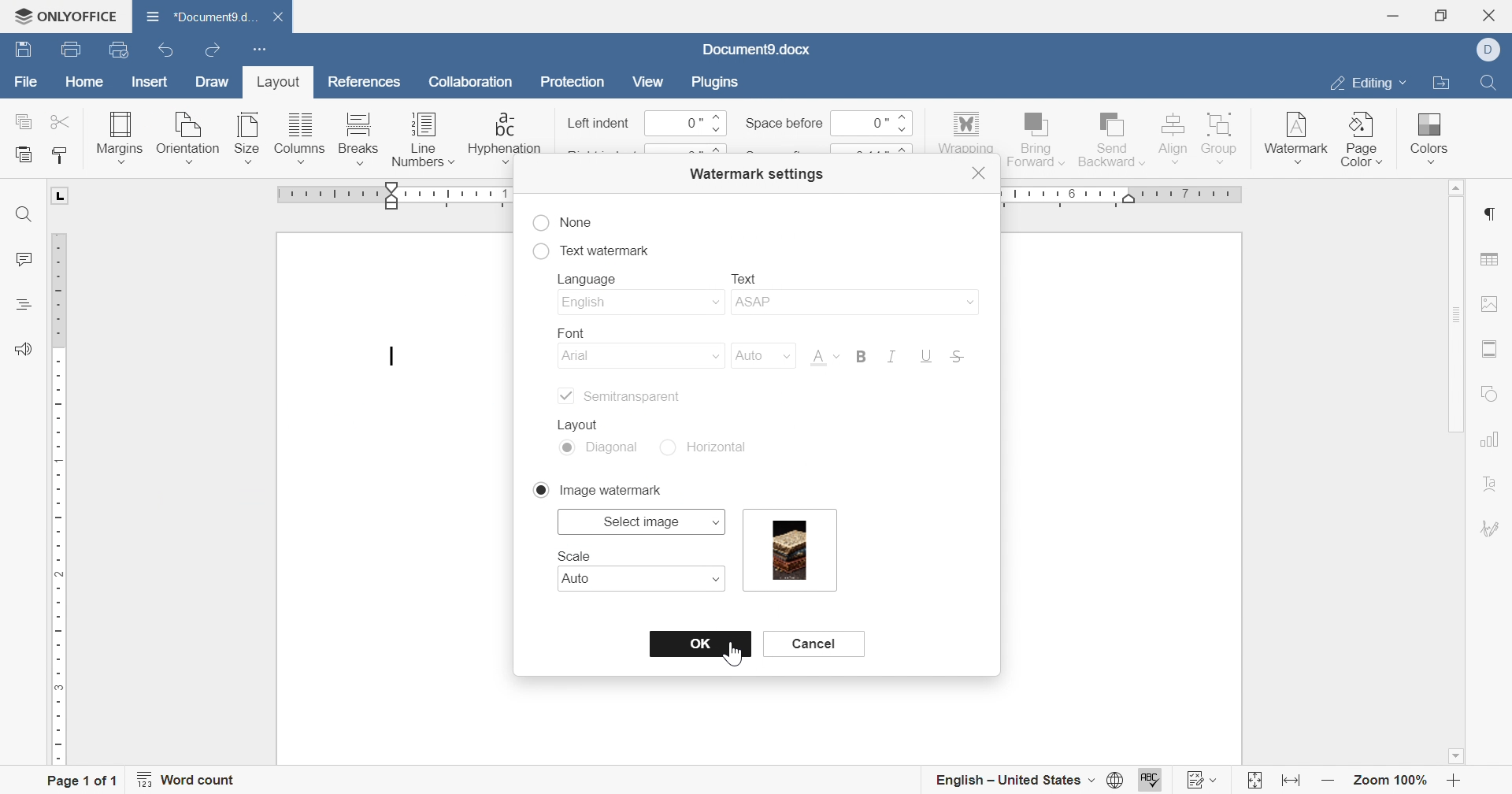 The image size is (1512, 794). I want to click on strikethrough, so click(958, 358).